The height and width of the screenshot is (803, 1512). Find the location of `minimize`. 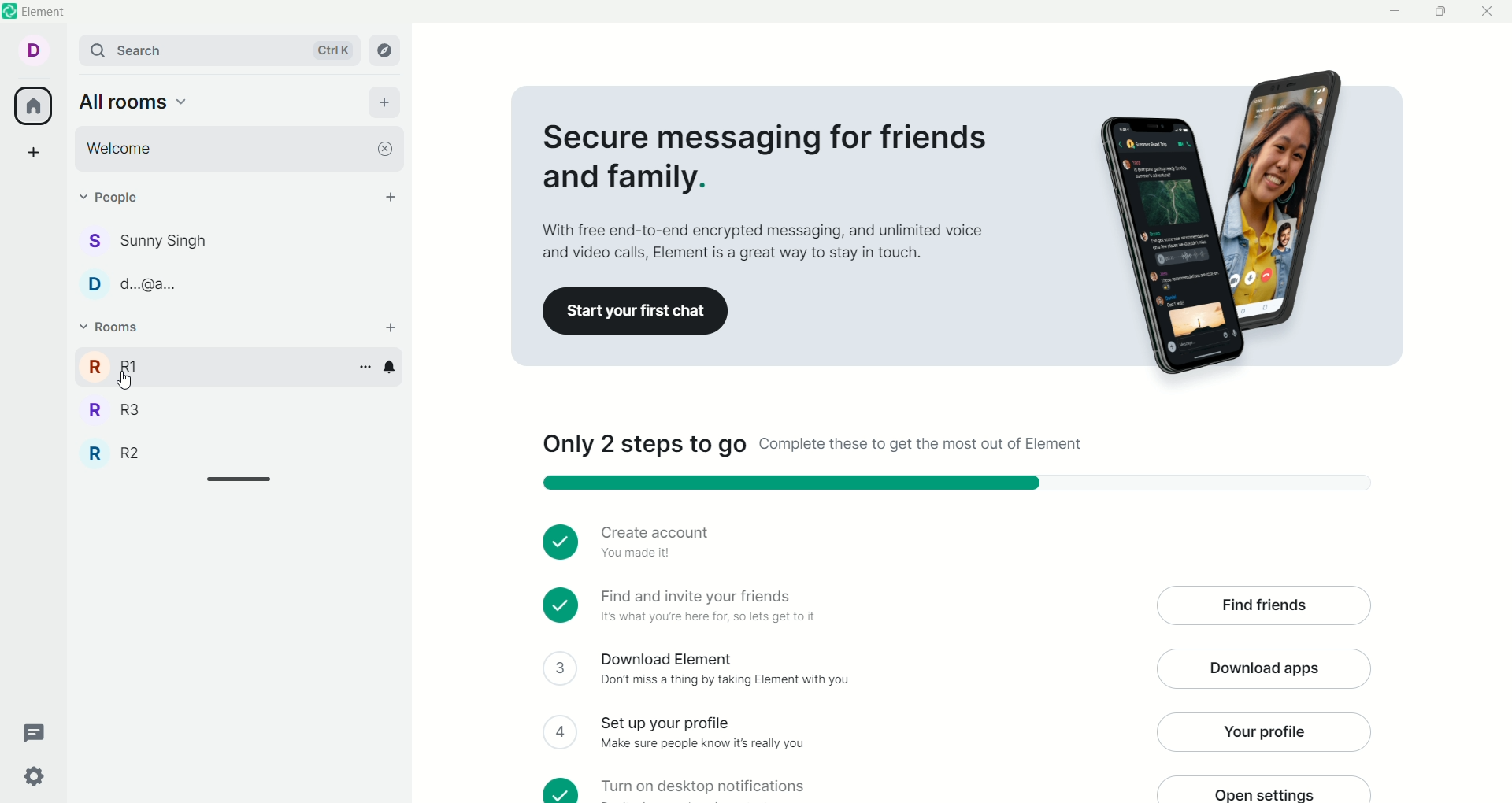

minimize is located at coordinates (1395, 12).